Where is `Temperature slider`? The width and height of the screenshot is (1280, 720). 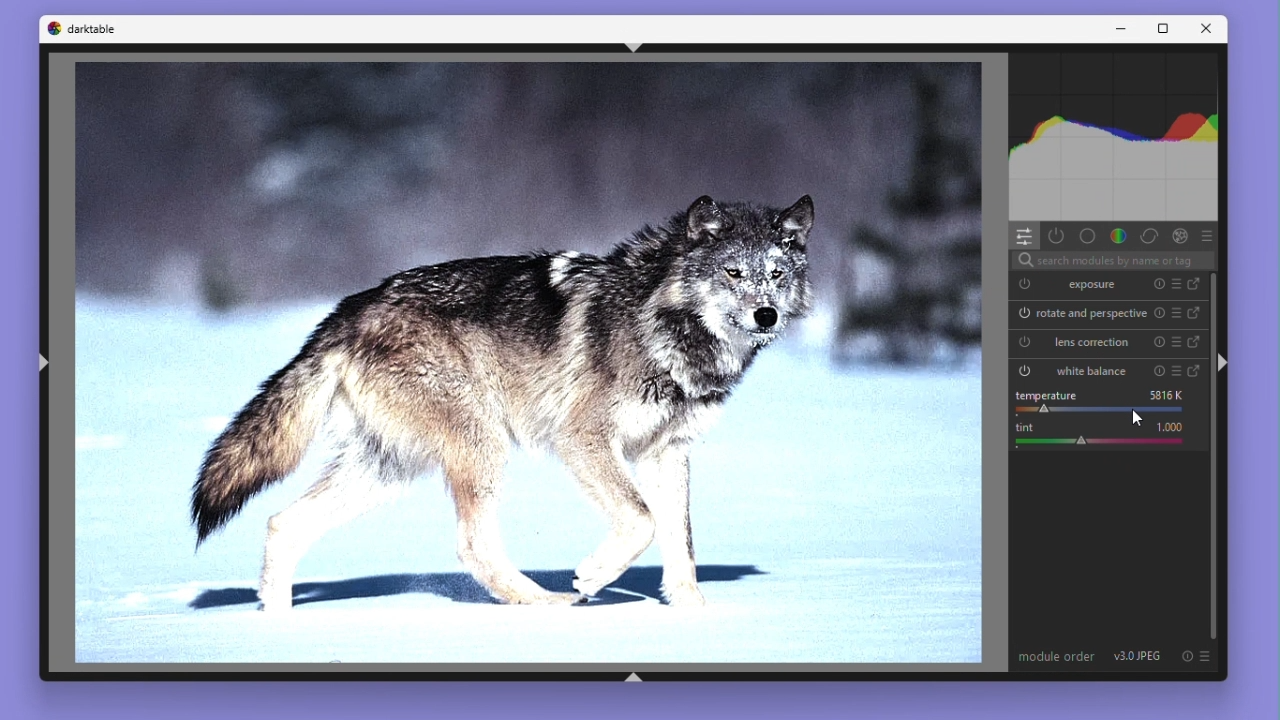 Temperature slider is located at coordinates (1108, 400).